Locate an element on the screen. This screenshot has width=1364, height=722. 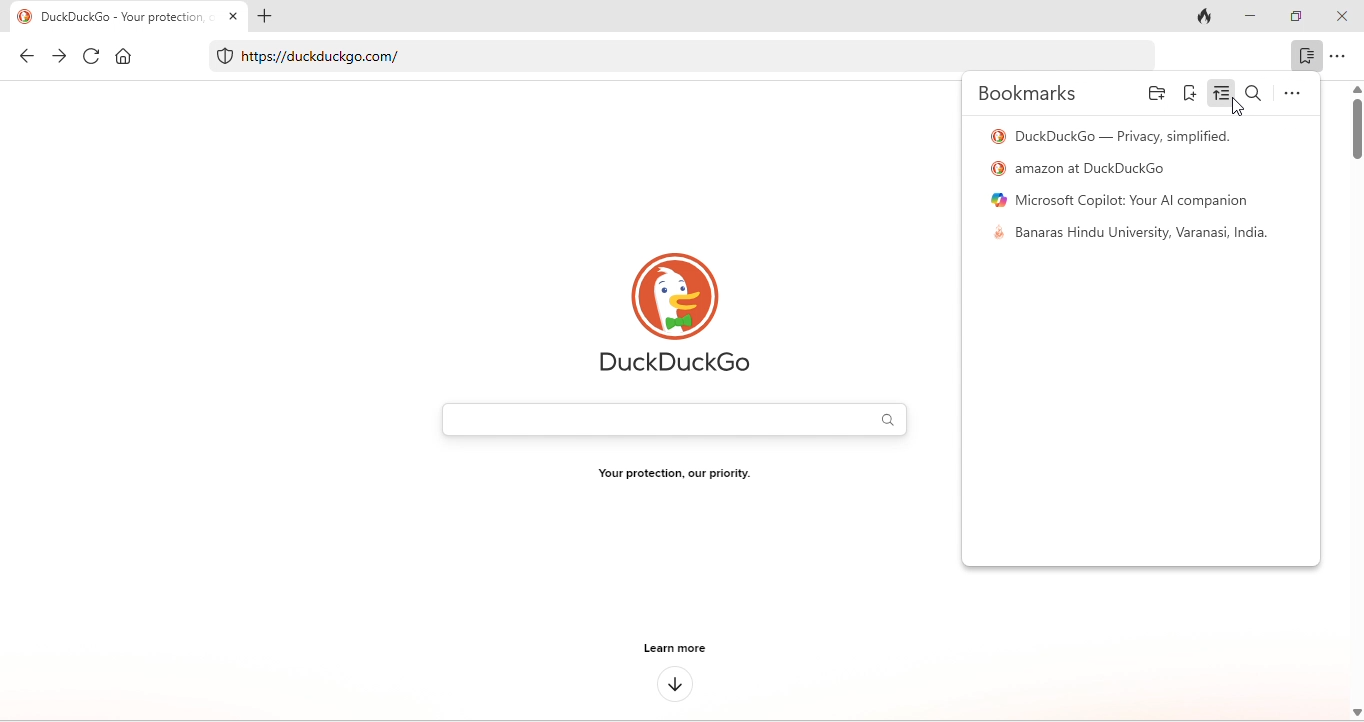
forward is located at coordinates (59, 56).